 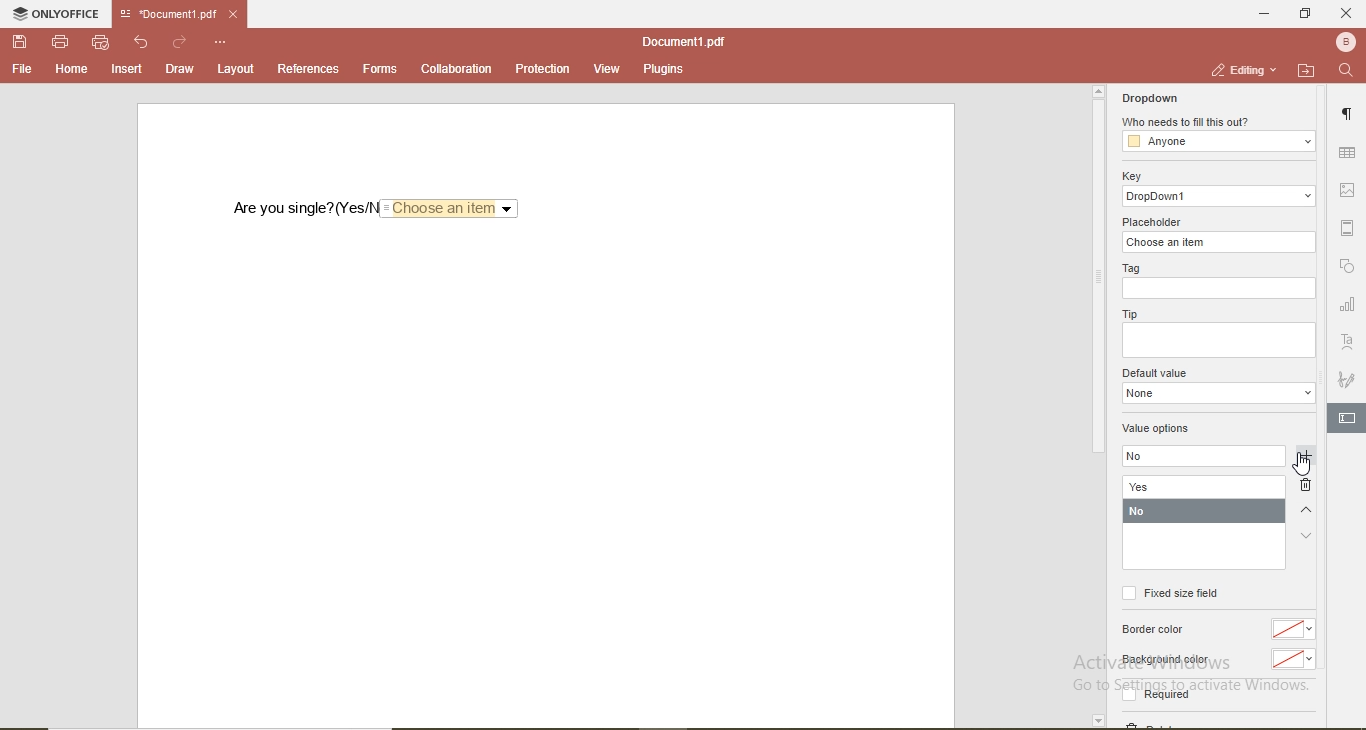 I want to click on redo, so click(x=180, y=43).